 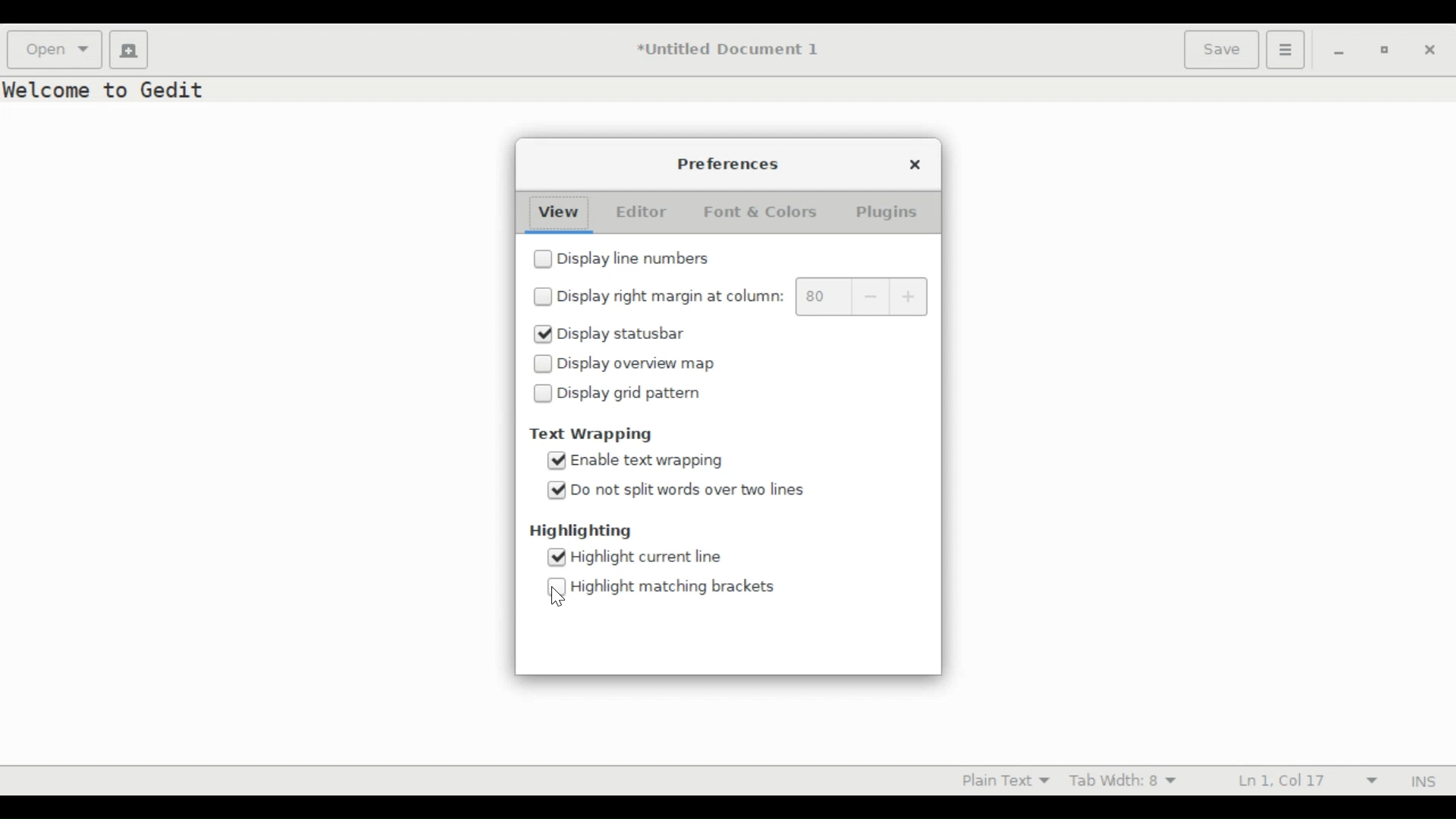 I want to click on checkbox, so click(x=544, y=393).